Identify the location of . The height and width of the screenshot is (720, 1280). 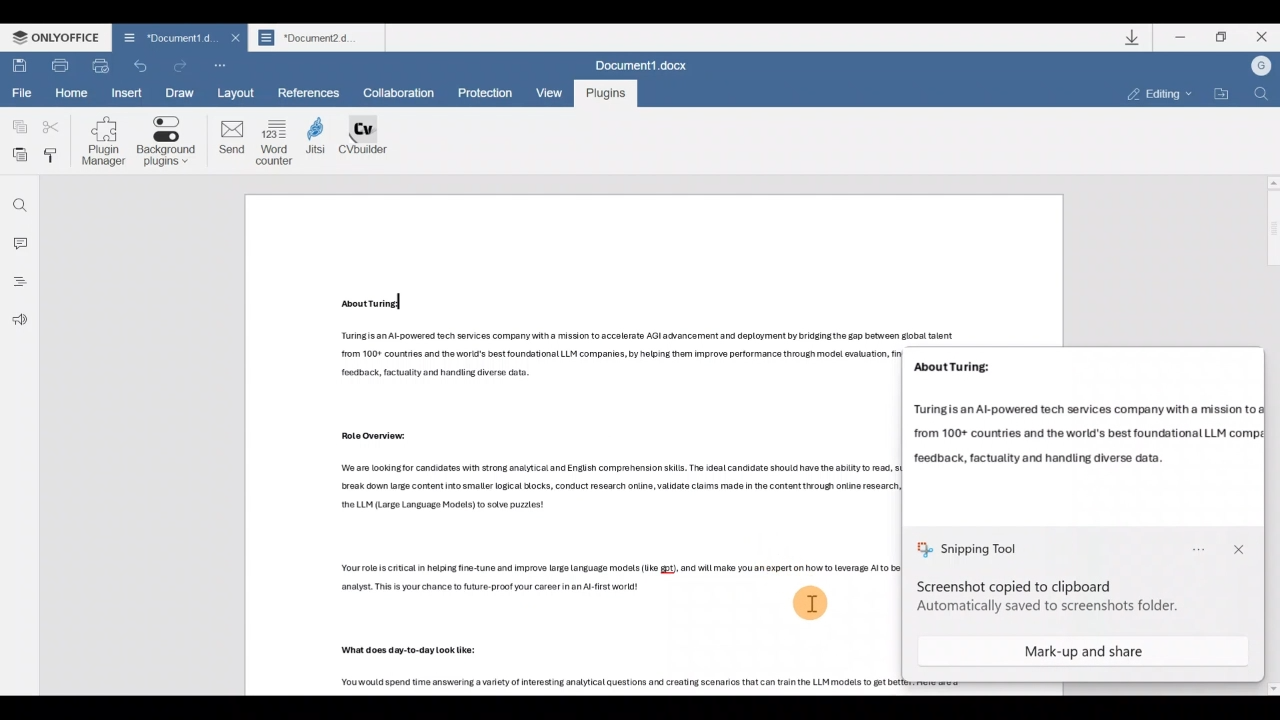
(613, 579).